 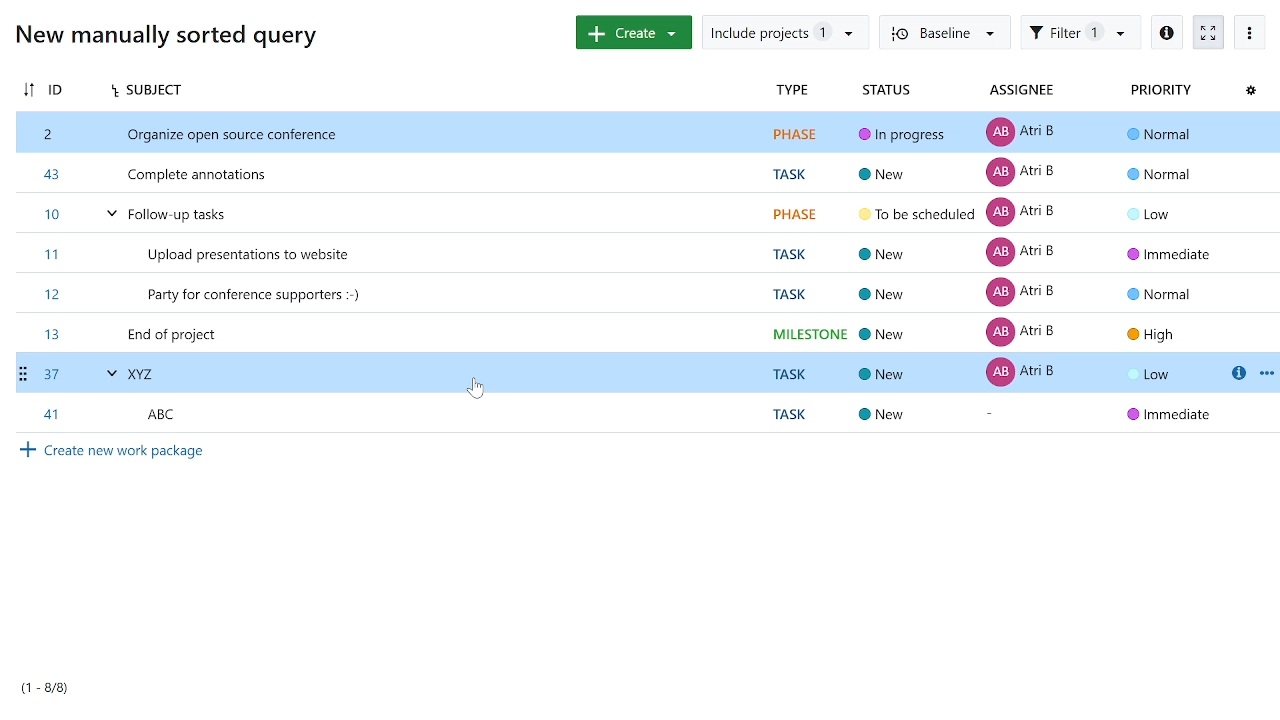 I want to click on Task count, so click(x=62, y=691).